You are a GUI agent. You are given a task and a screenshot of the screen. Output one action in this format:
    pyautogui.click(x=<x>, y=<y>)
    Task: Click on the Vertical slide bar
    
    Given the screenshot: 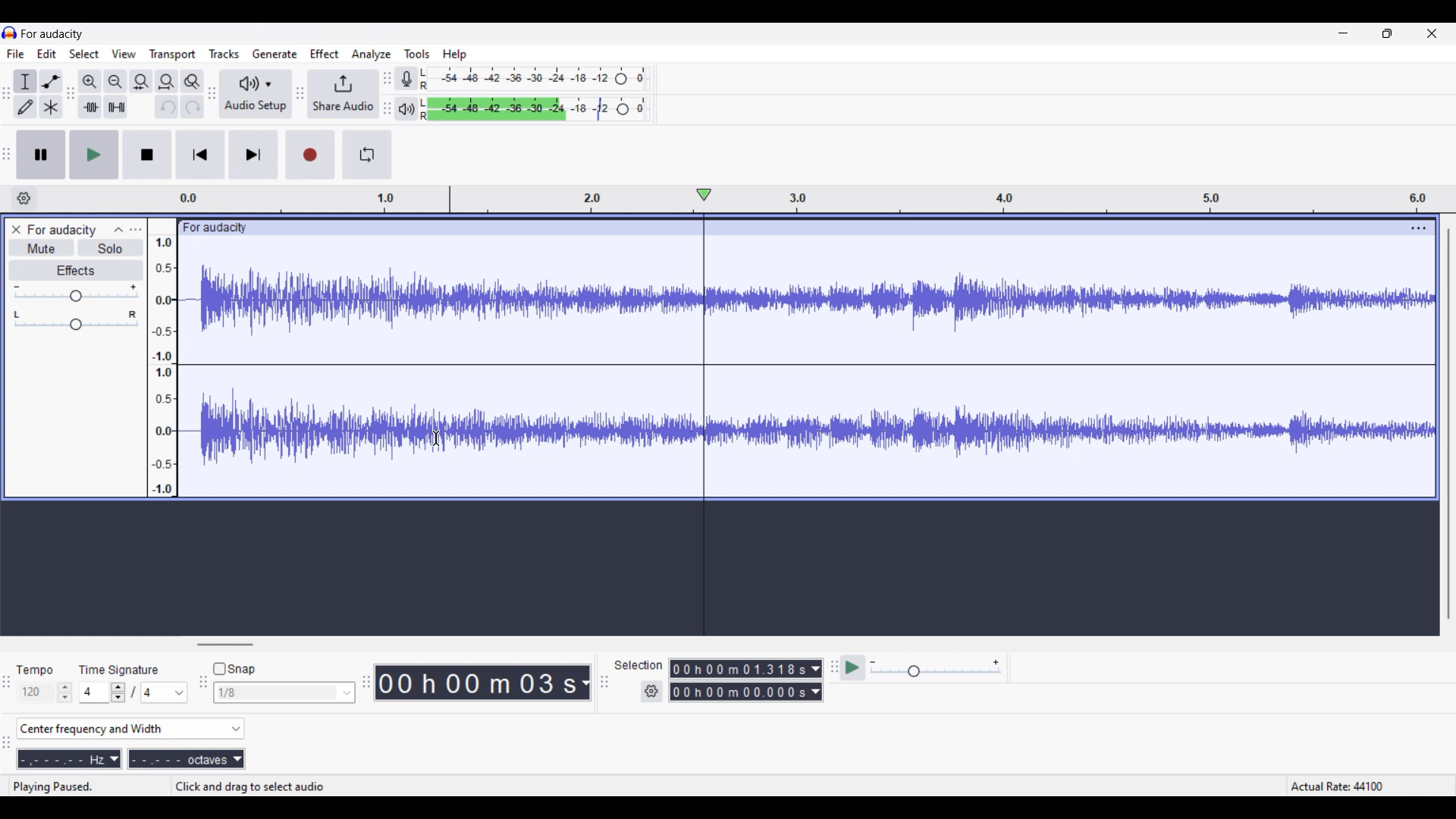 What is the action you would take?
    pyautogui.click(x=1448, y=454)
    